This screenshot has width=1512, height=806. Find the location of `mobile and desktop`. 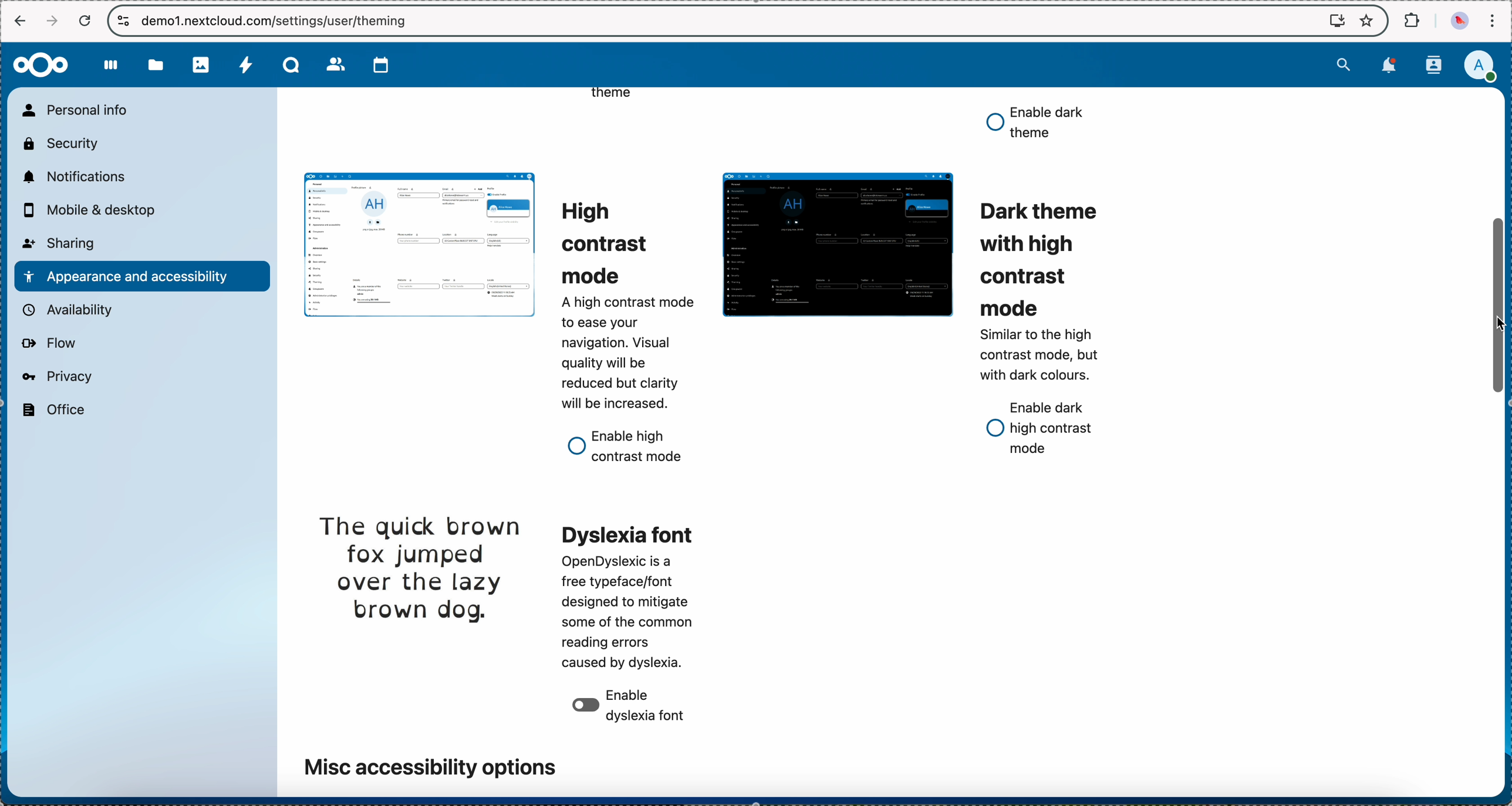

mobile and desktop is located at coordinates (95, 209).